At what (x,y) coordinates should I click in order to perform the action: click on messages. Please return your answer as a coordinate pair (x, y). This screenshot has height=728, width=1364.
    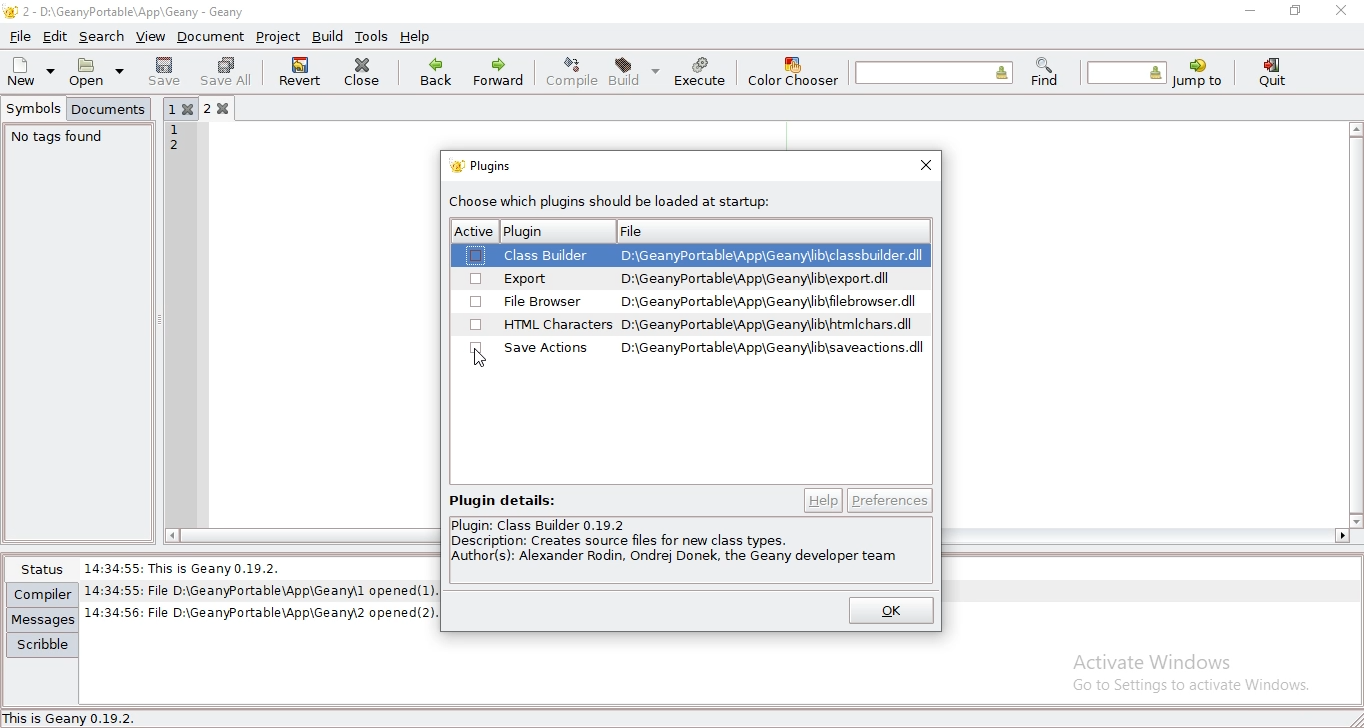
    Looking at the image, I should click on (43, 619).